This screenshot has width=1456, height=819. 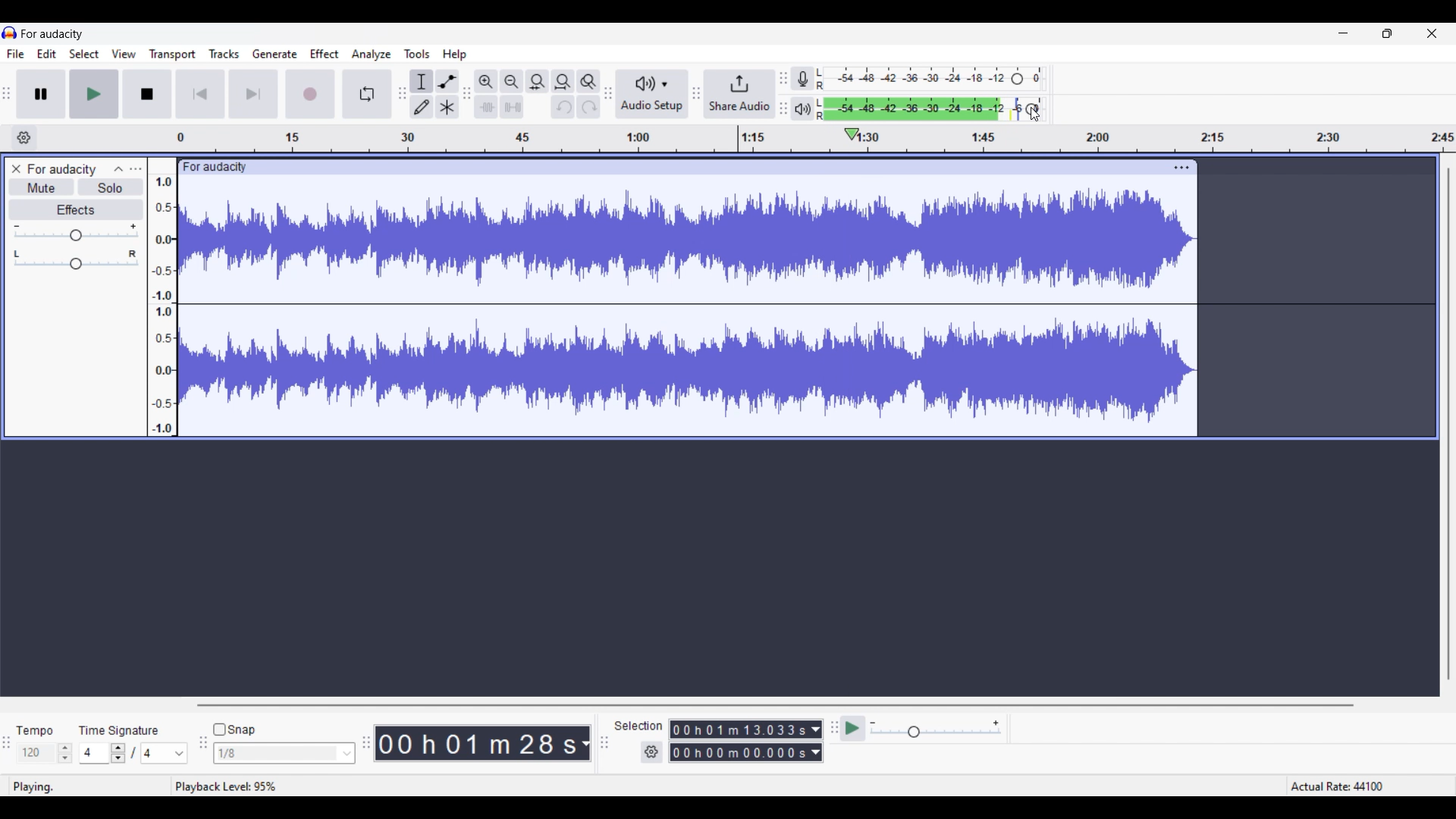 I want to click on Multi tool, so click(x=447, y=107).